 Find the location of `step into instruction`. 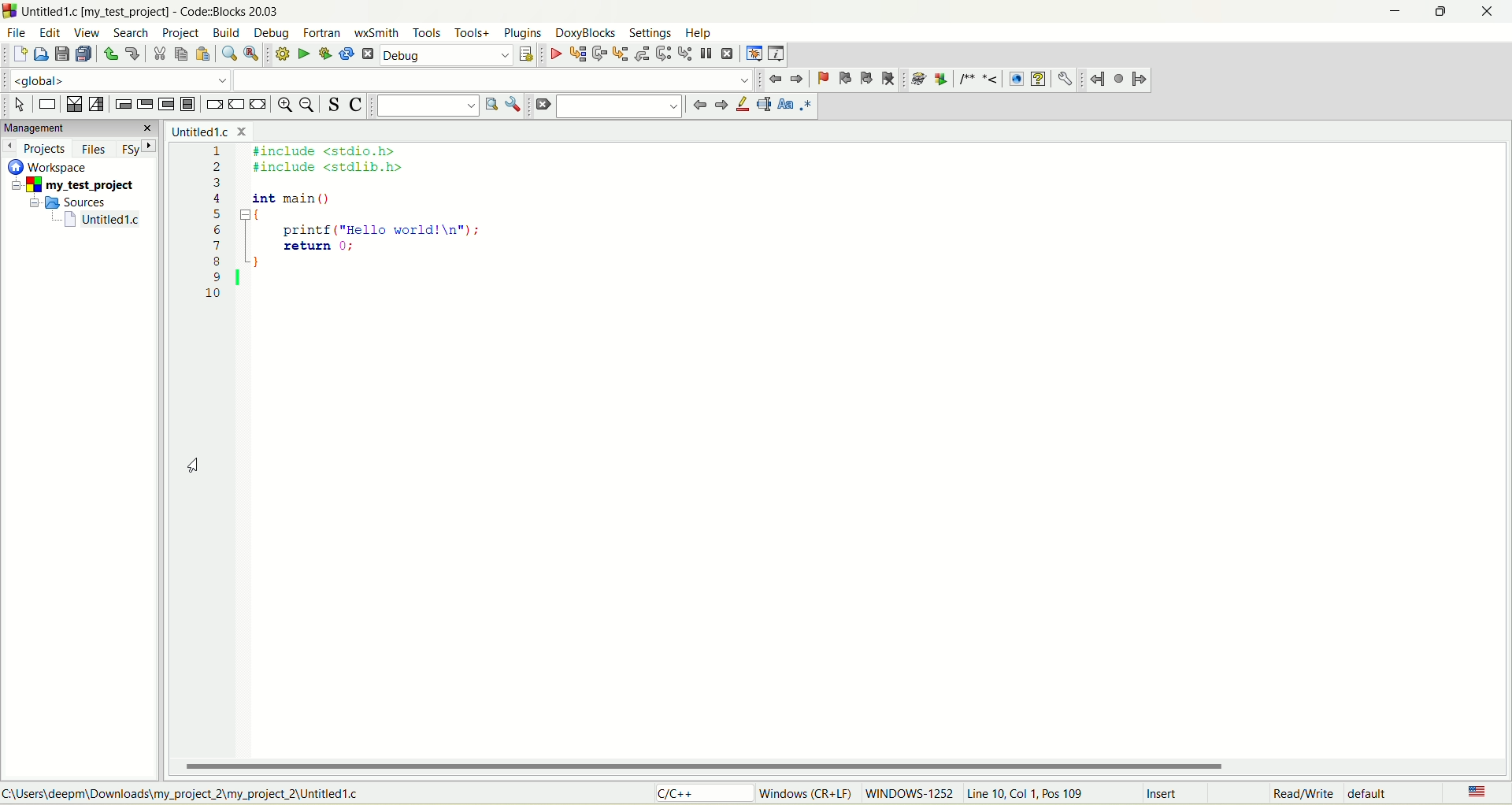

step into instruction is located at coordinates (686, 54).